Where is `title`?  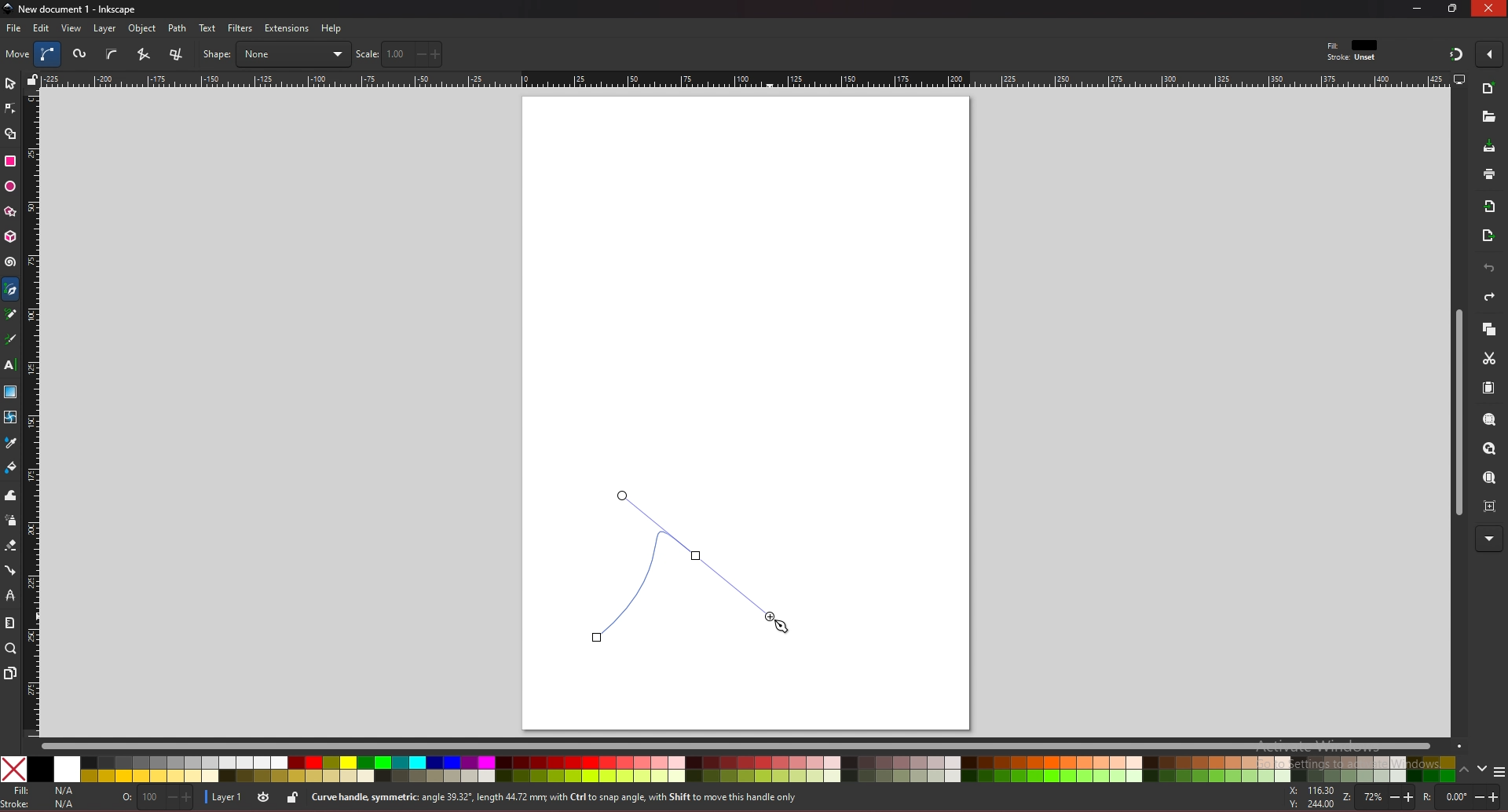 title is located at coordinates (72, 8).